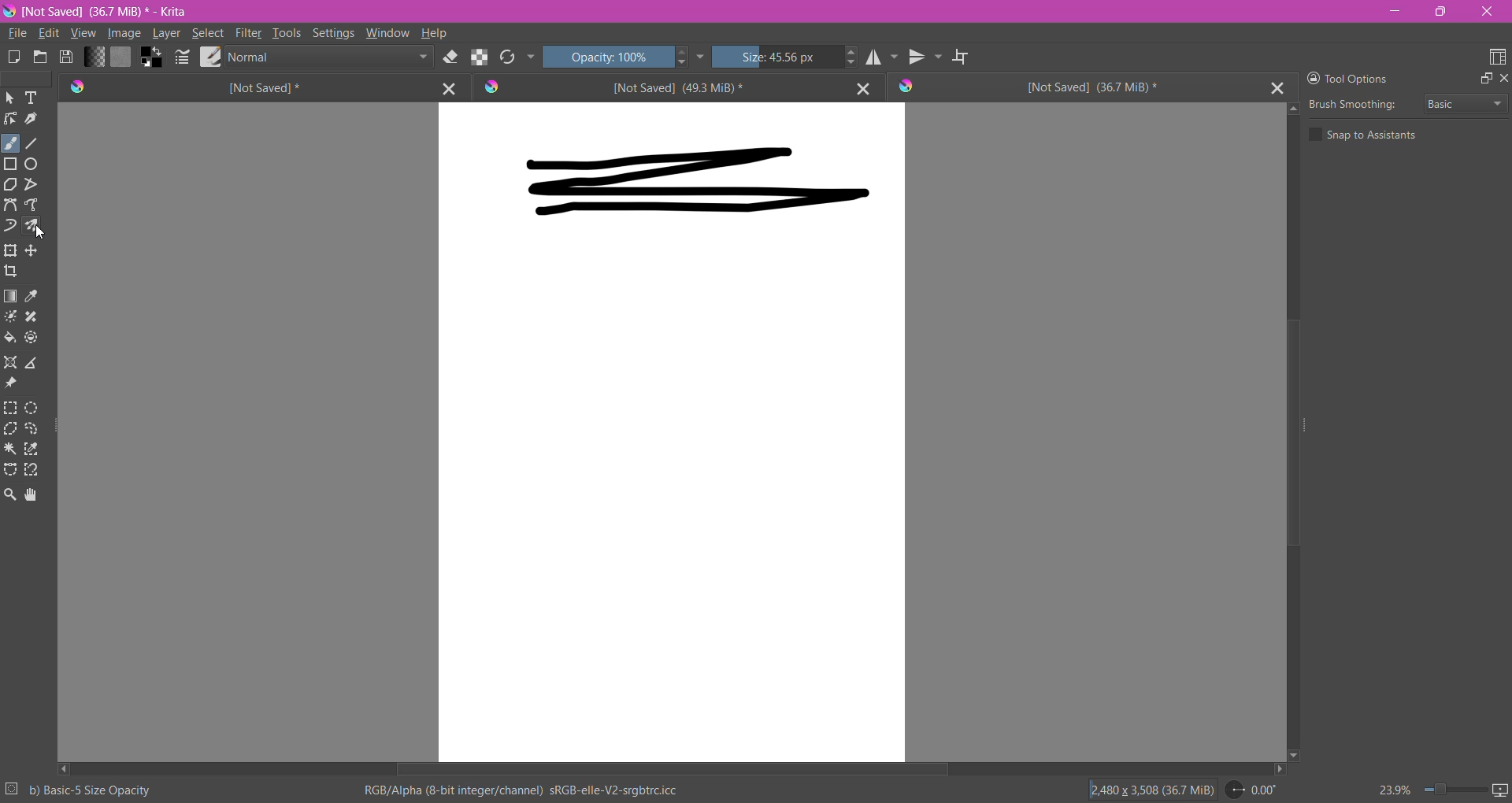 This screenshot has height=803, width=1512. Describe the element at coordinates (672, 432) in the screenshot. I see `Canvas with brushstrokes` at that location.